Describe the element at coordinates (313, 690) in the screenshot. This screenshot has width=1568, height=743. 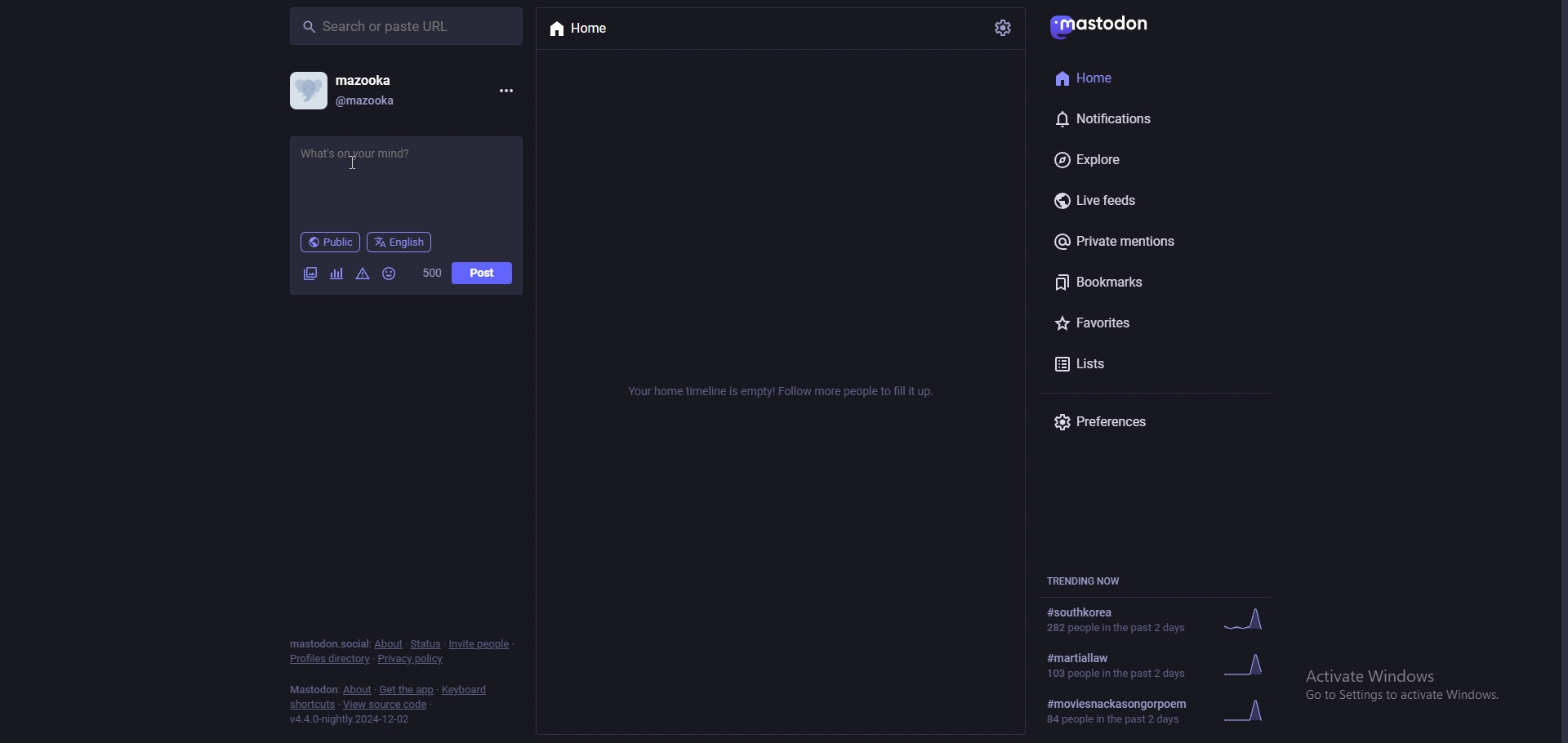
I see `mastodon` at that location.